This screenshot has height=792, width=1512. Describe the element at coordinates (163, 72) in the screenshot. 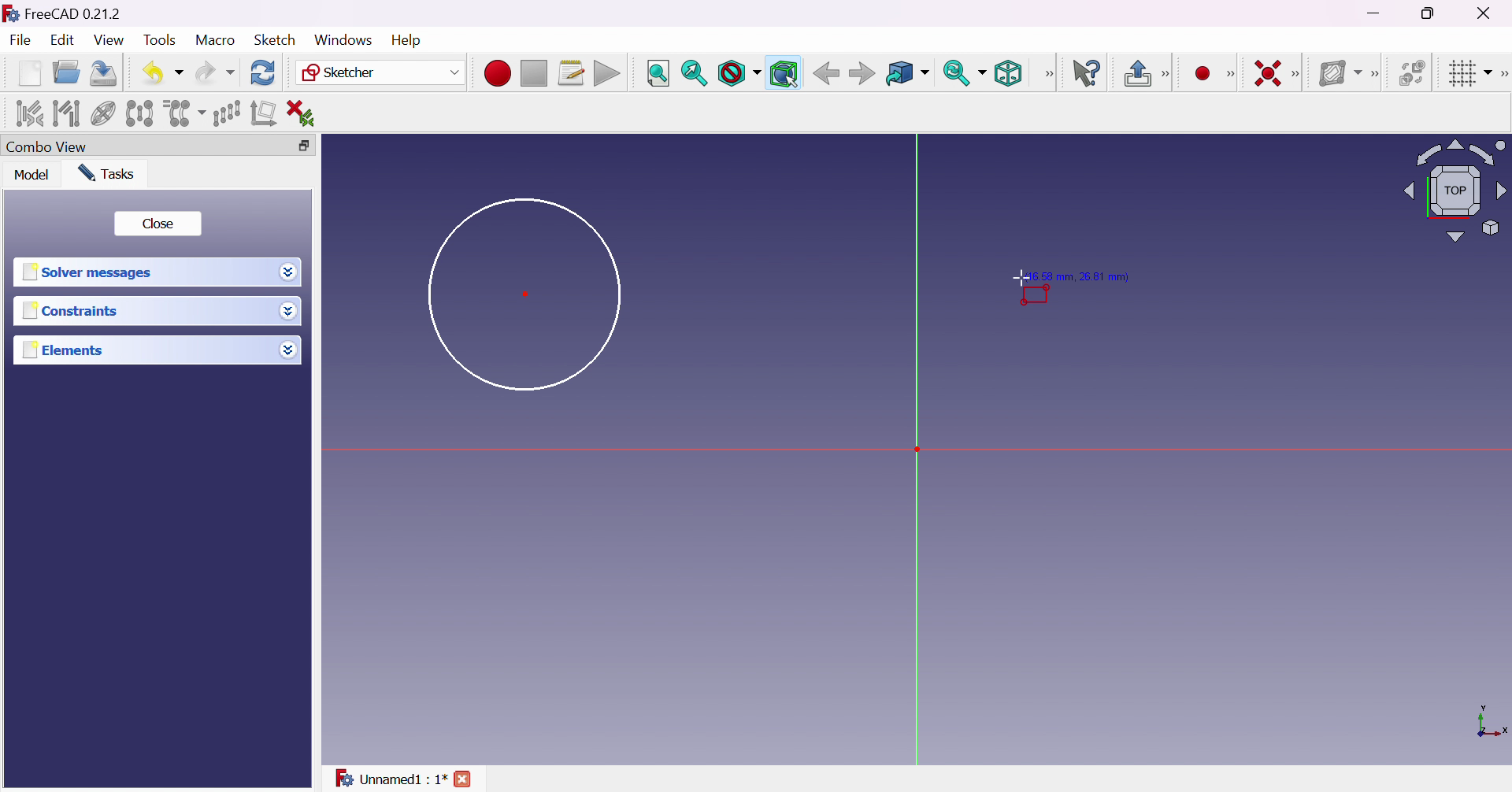

I see `Undo` at that location.